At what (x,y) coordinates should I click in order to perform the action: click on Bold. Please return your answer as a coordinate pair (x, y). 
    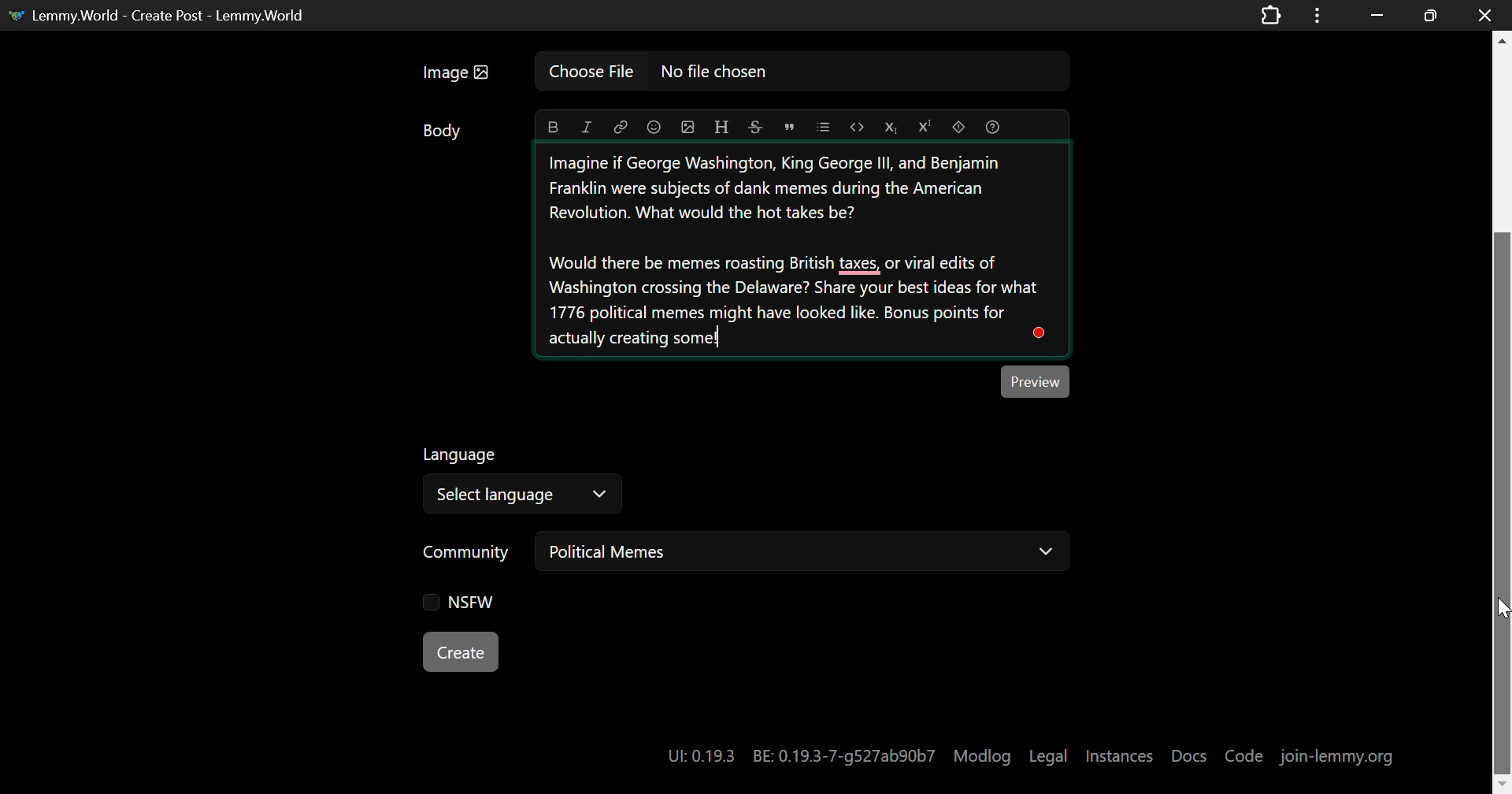
    Looking at the image, I should click on (552, 126).